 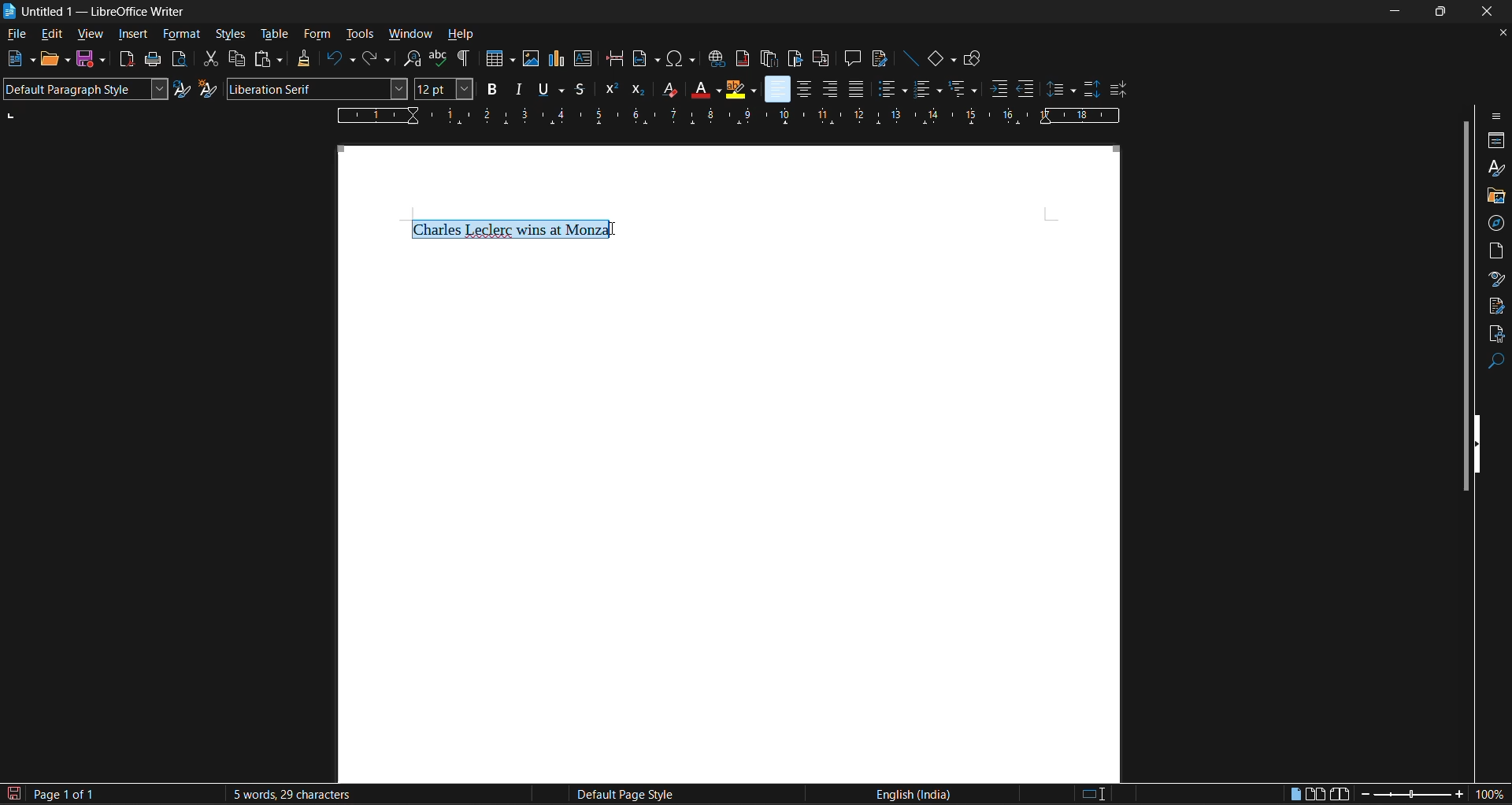 I want to click on hide, so click(x=1481, y=443).